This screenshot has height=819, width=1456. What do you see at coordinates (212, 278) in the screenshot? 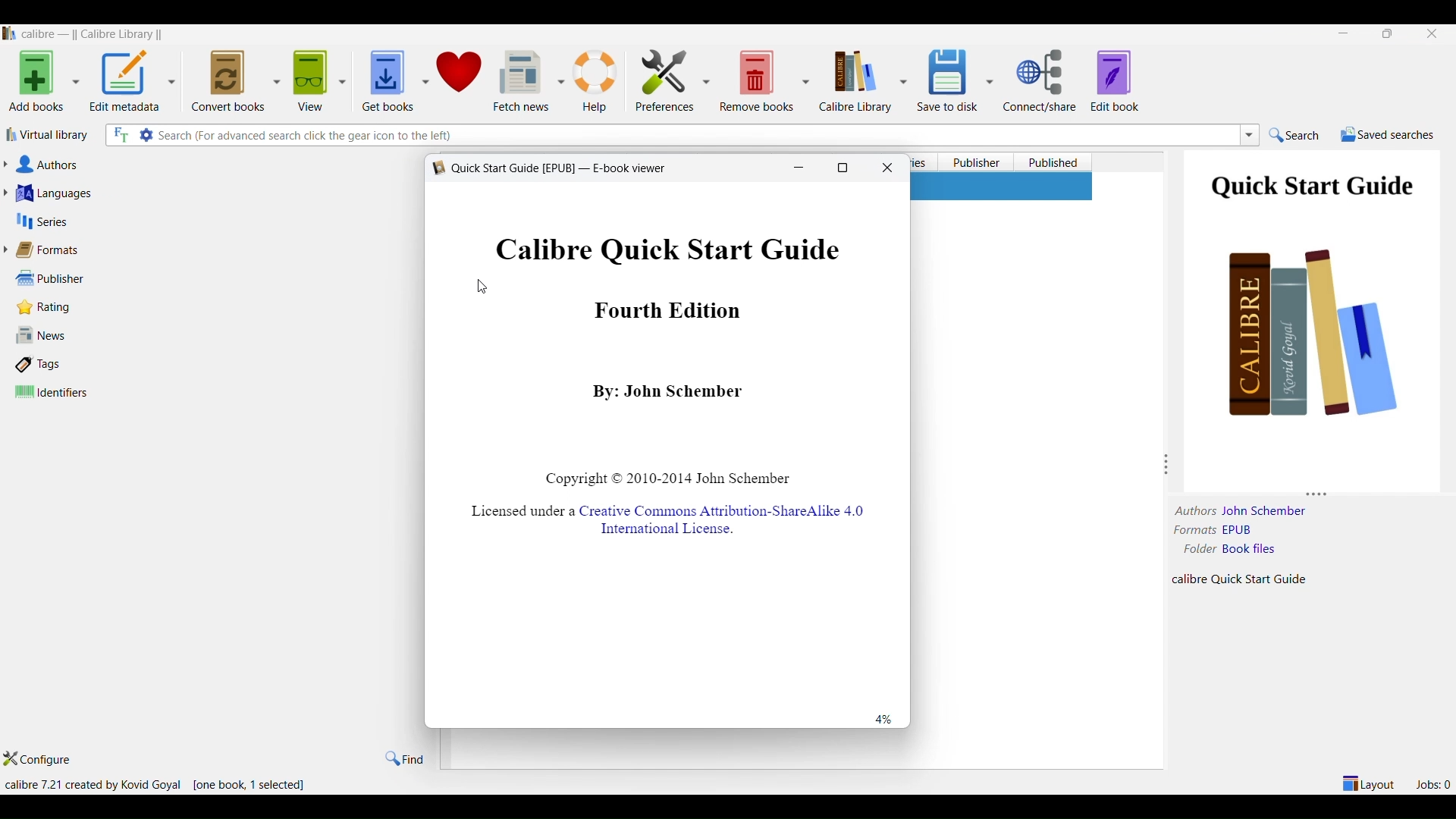
I see `publisher` at bounding box center [212, 278].